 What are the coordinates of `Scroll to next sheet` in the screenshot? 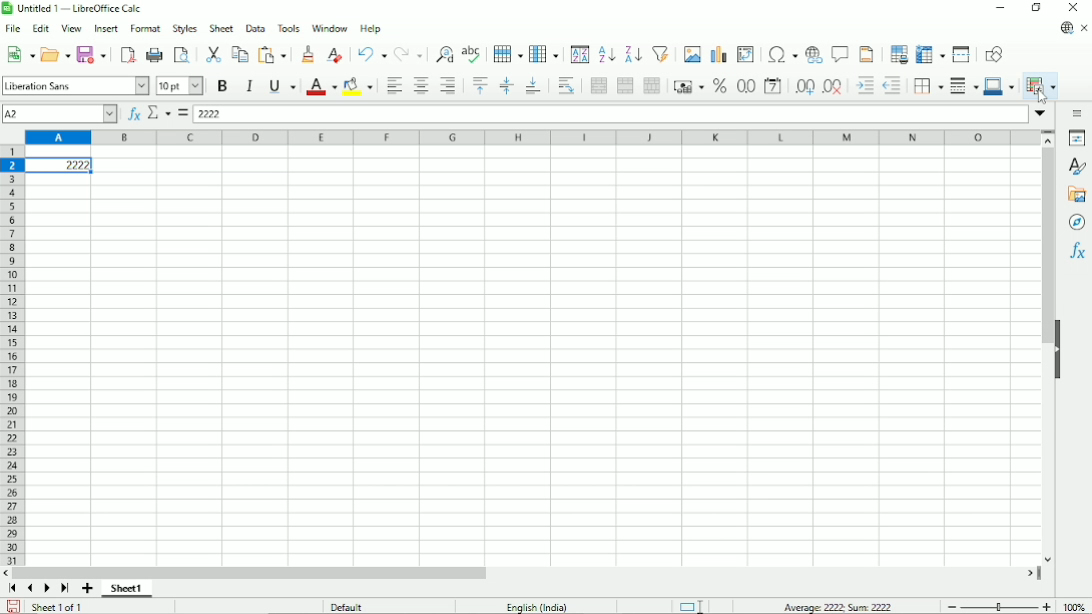 It's located at (47, 589).